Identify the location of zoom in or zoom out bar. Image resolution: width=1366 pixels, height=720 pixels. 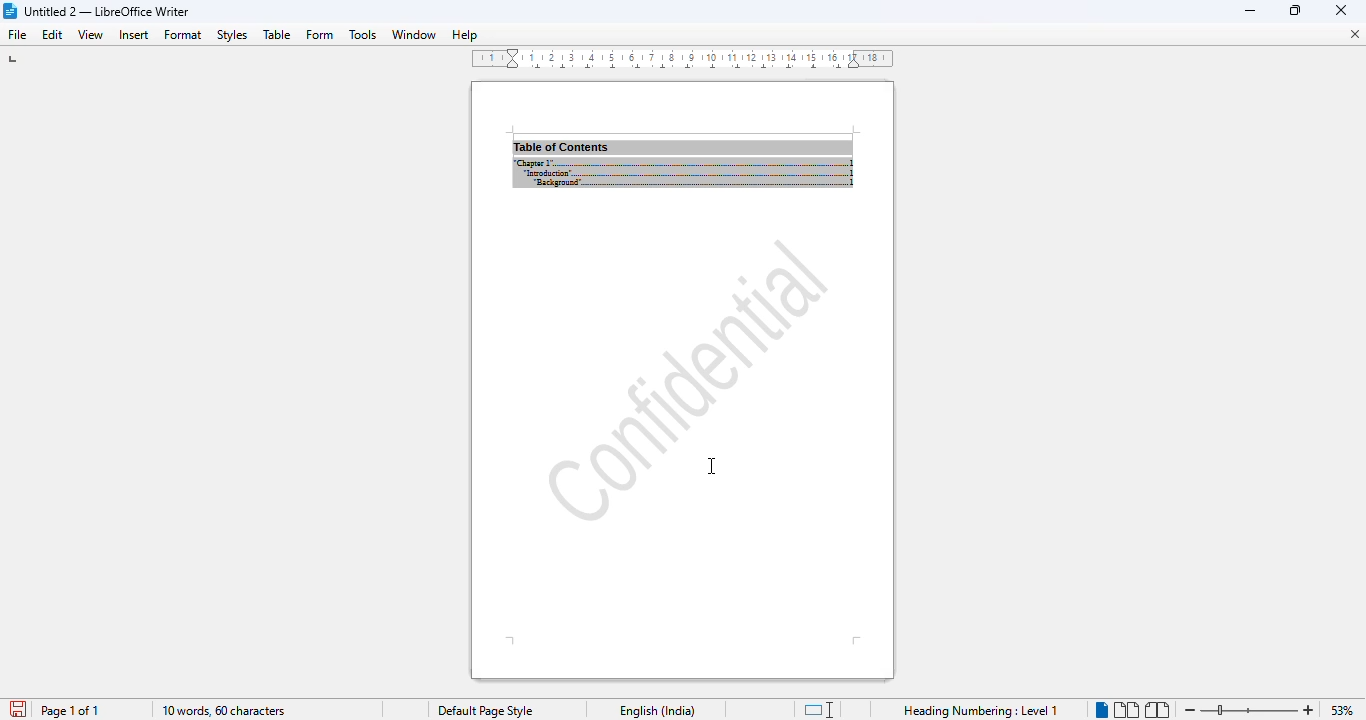
(1250, 709).